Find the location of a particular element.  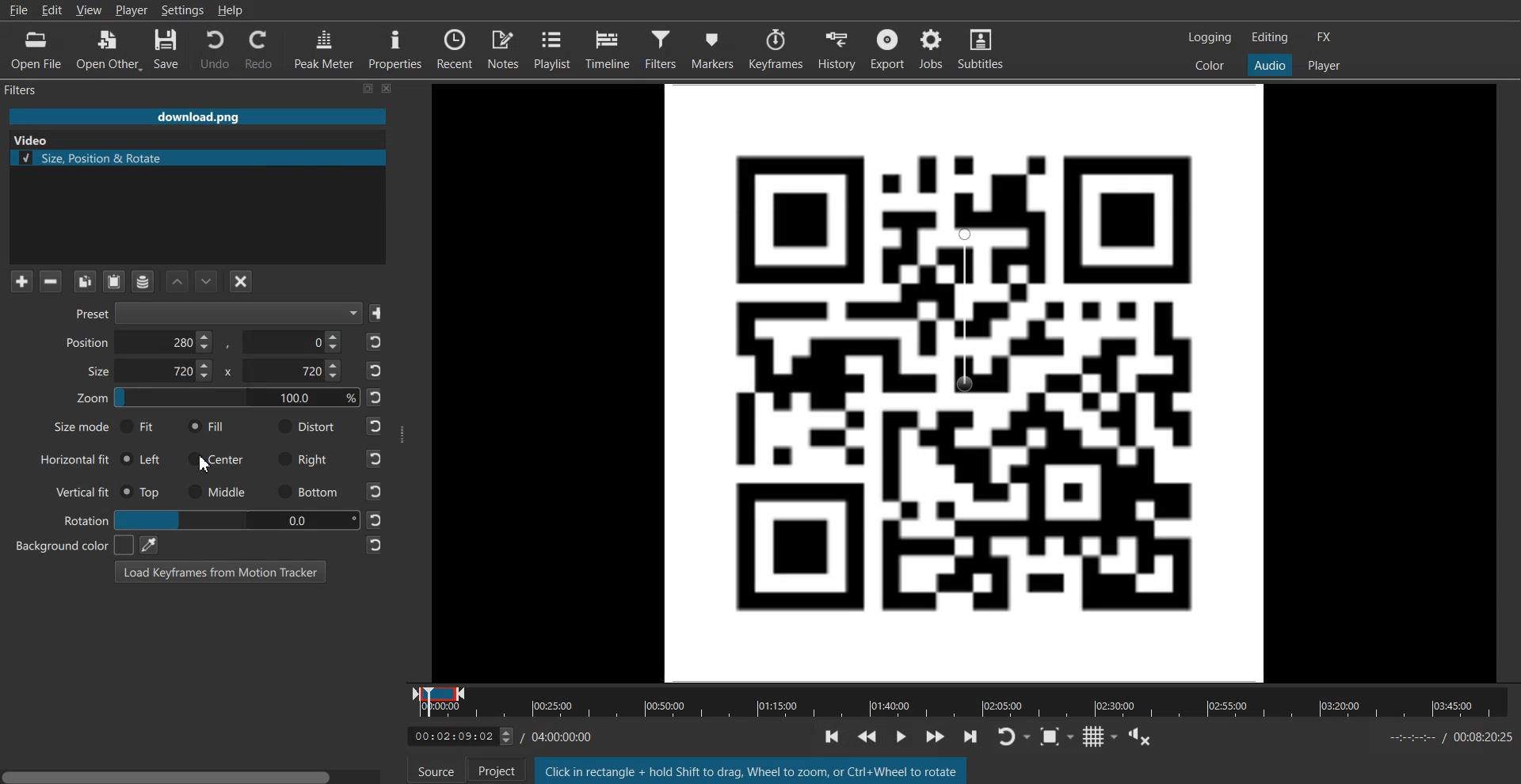

Fill is located at coordinates (207, 427).